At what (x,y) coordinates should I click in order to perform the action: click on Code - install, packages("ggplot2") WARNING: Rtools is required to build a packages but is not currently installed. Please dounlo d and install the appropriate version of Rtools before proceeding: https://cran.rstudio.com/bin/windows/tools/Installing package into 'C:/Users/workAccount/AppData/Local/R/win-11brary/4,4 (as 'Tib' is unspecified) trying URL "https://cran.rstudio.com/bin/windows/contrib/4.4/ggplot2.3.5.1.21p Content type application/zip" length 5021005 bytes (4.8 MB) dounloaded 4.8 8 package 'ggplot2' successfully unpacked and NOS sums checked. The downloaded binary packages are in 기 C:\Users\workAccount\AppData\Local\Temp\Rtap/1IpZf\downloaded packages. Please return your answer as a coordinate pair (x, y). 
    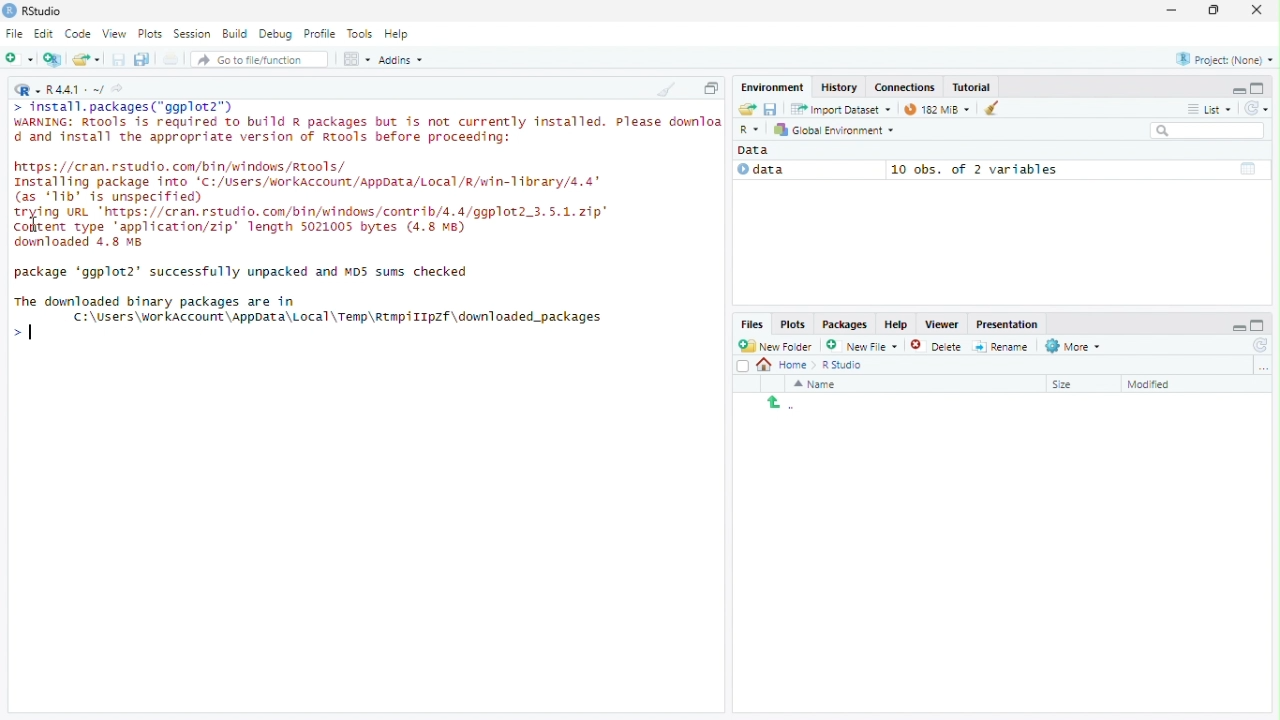
    Looking at the image, I should click on (365, 225).